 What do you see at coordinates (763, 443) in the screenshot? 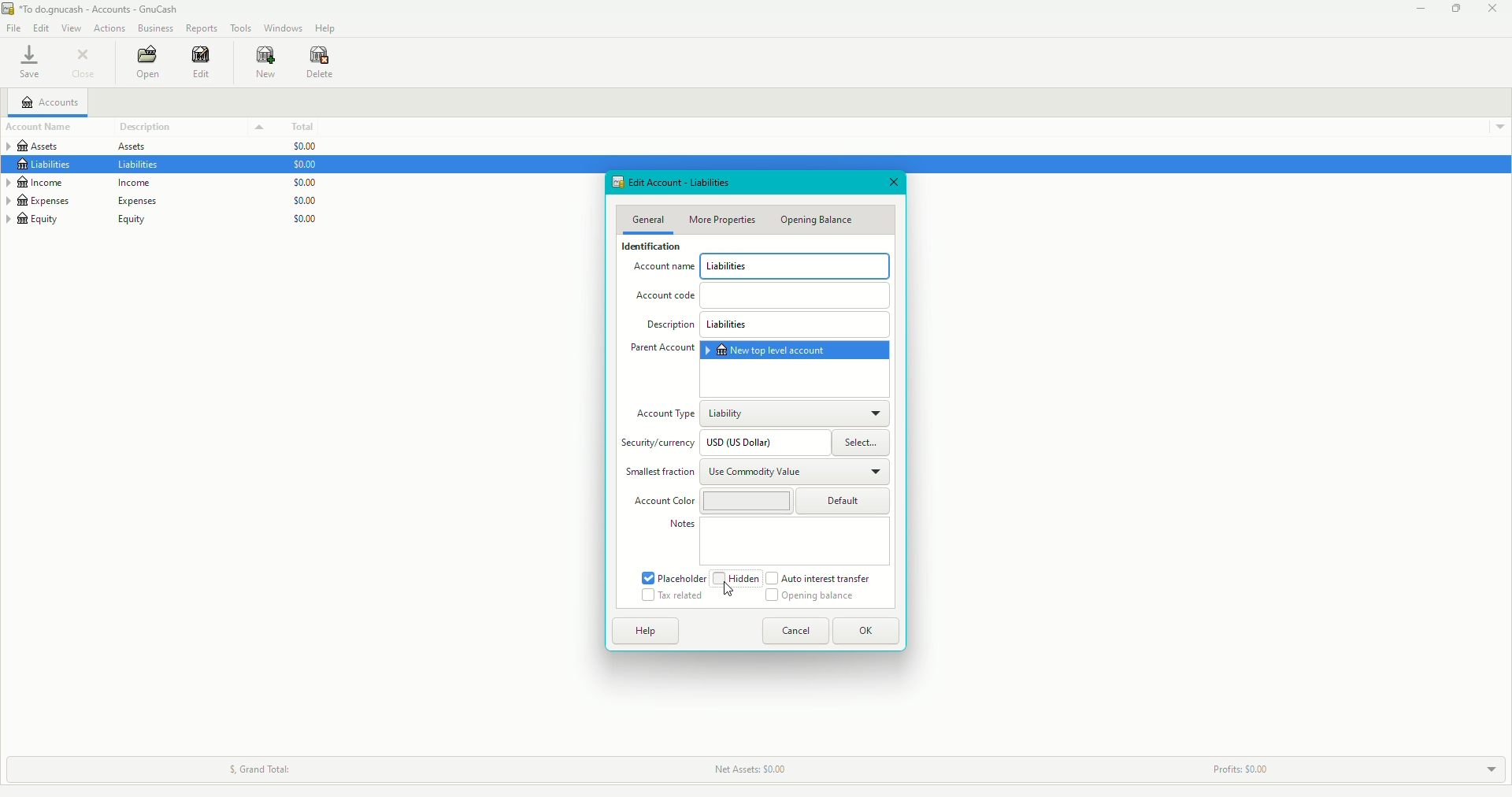
I see `USD` at bounding box center [763, 443].